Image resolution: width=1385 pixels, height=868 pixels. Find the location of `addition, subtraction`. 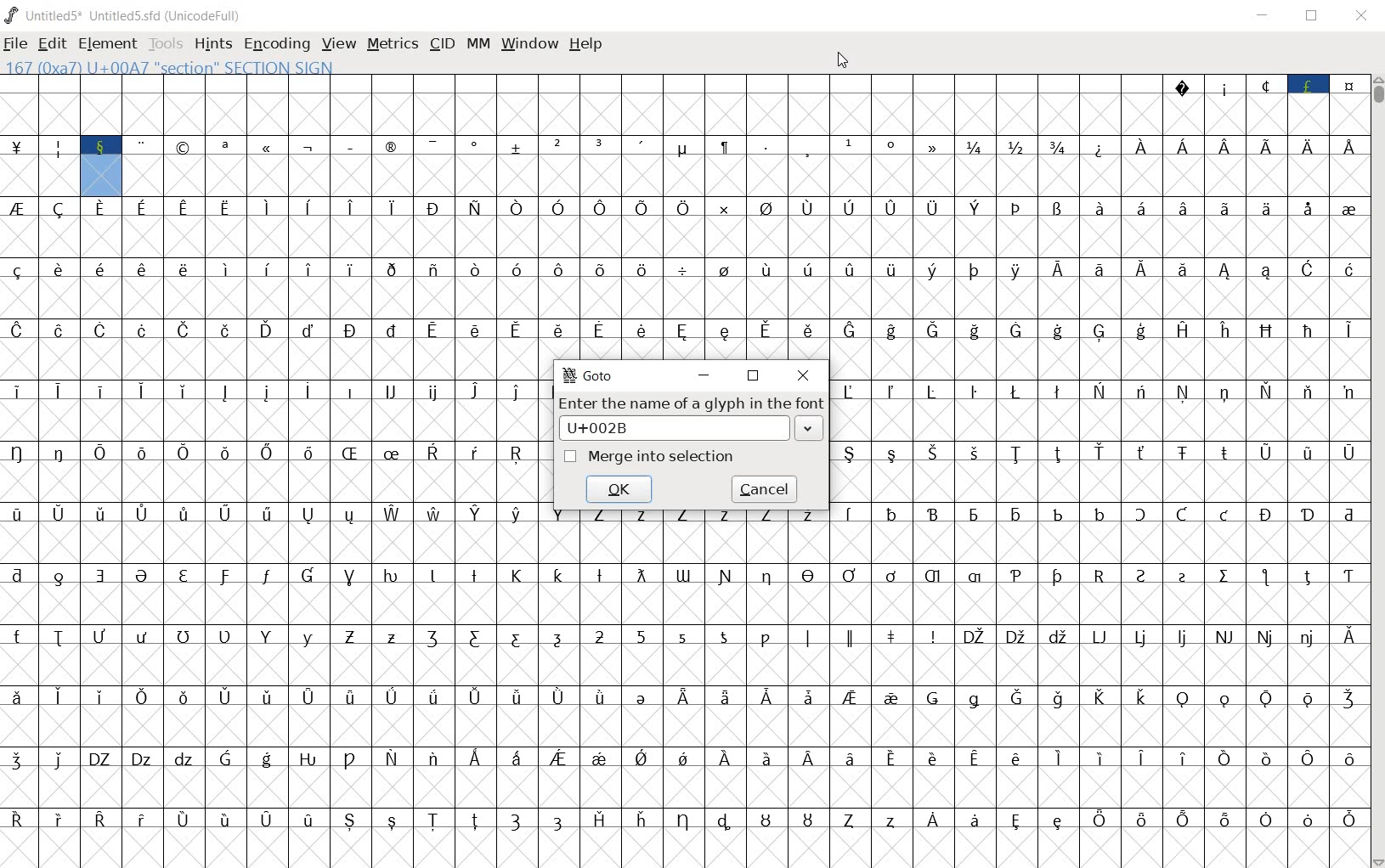

addition, subtraction is located at coordinates (477, 167).